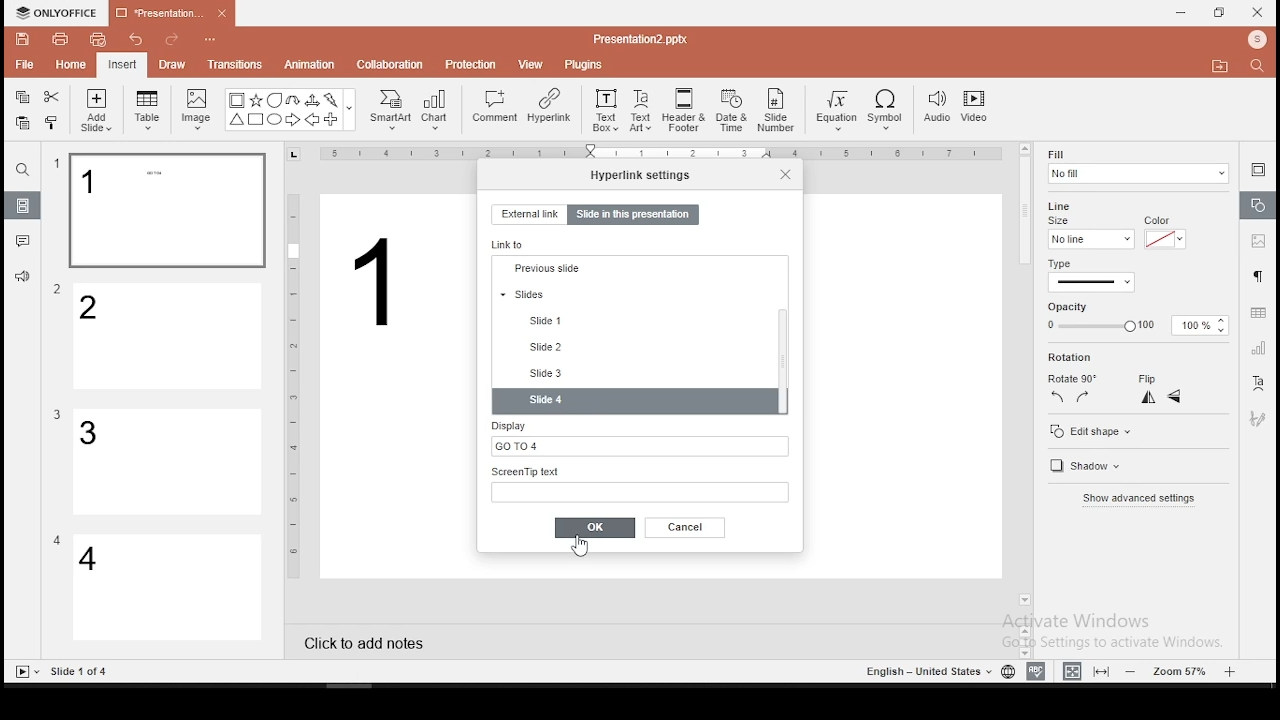  What do you see at coordinates (168, 589) in the screenshot?
I see `slide 4` at bounding box center [168, 589].